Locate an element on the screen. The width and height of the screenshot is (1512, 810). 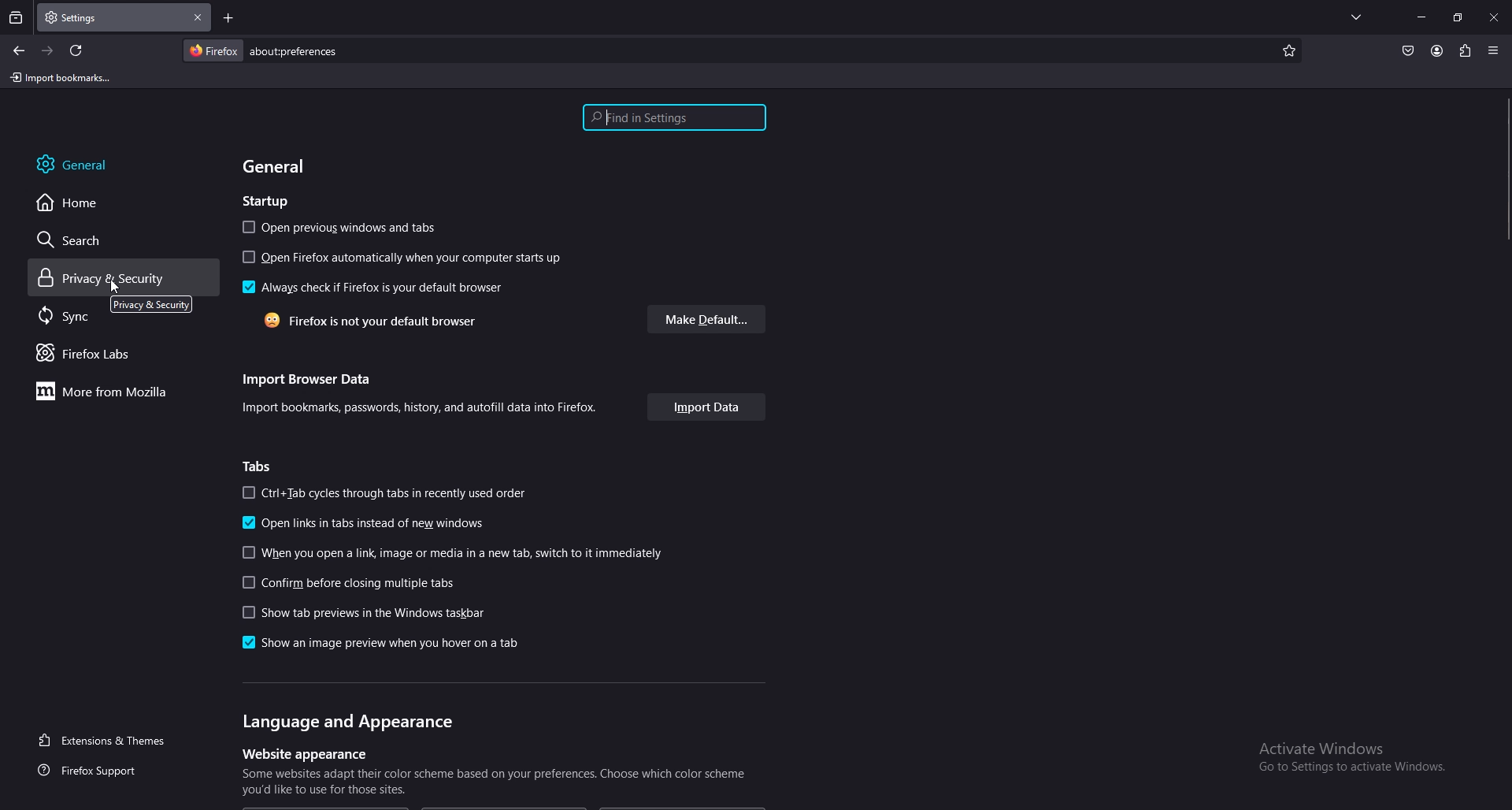
sync is located at coordinates (83, 316).